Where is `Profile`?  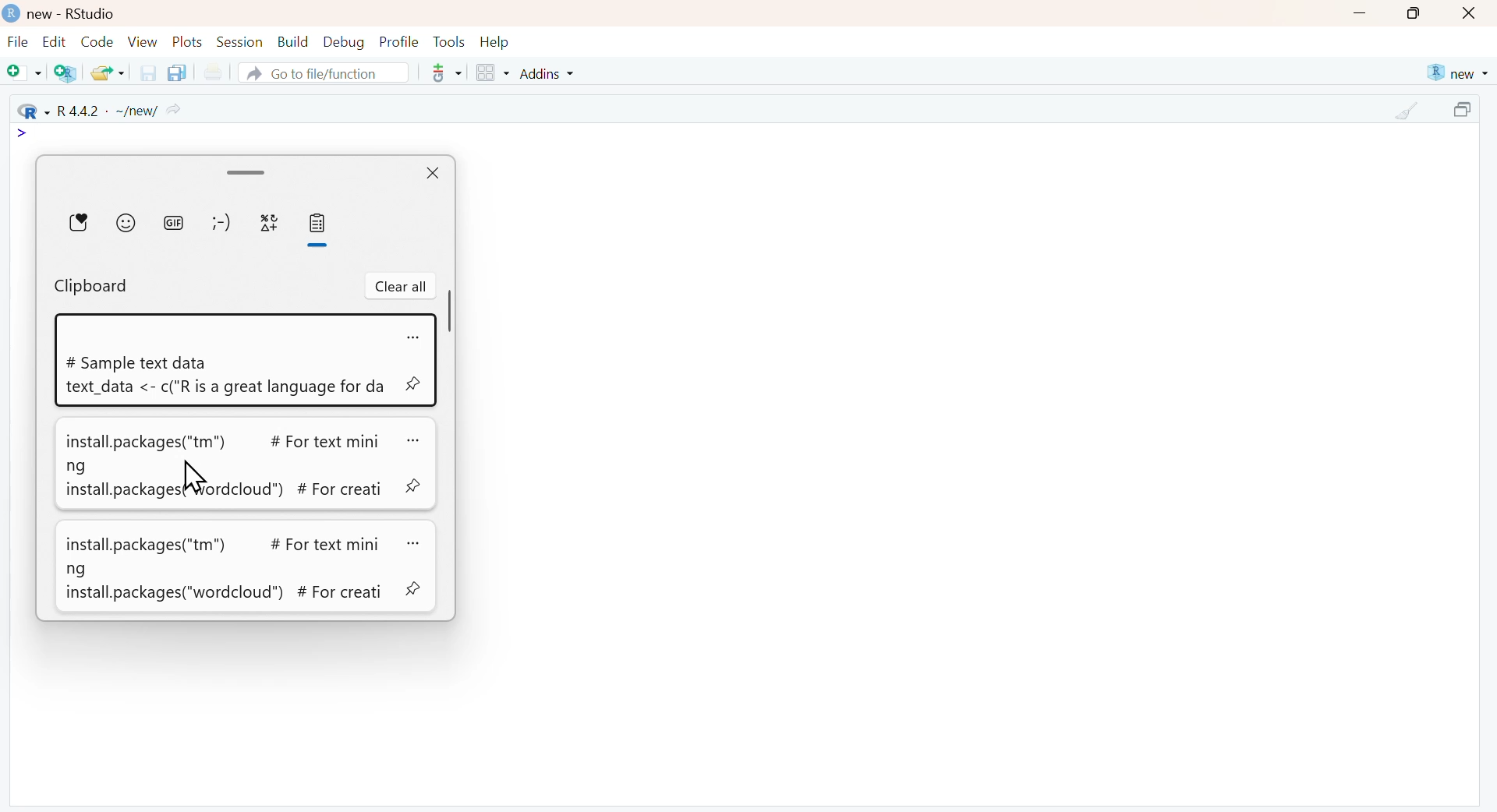 Profile is located at coordinates (401, 42).